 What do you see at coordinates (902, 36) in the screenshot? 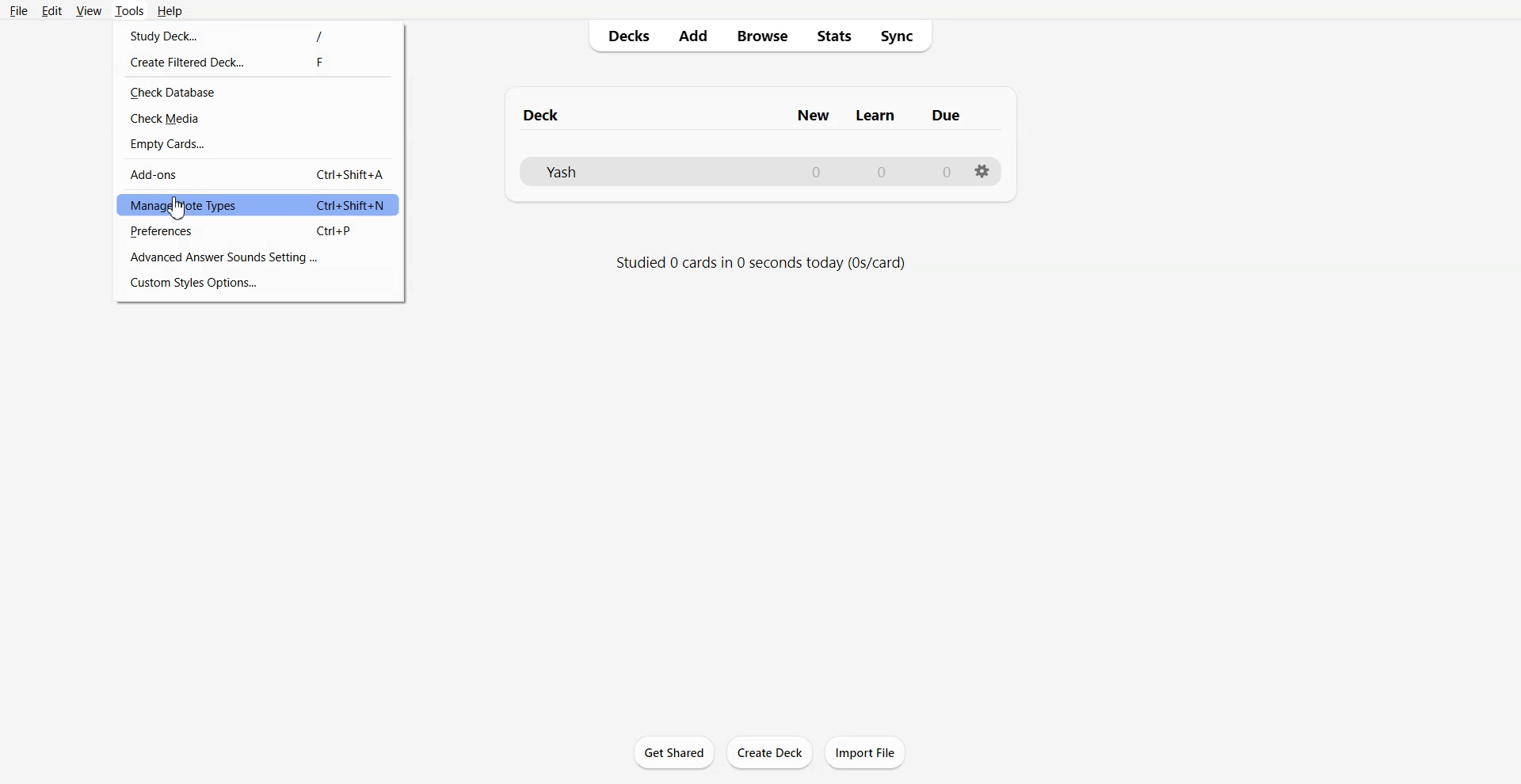
I see `Sync` at bounding box center [902, 36].